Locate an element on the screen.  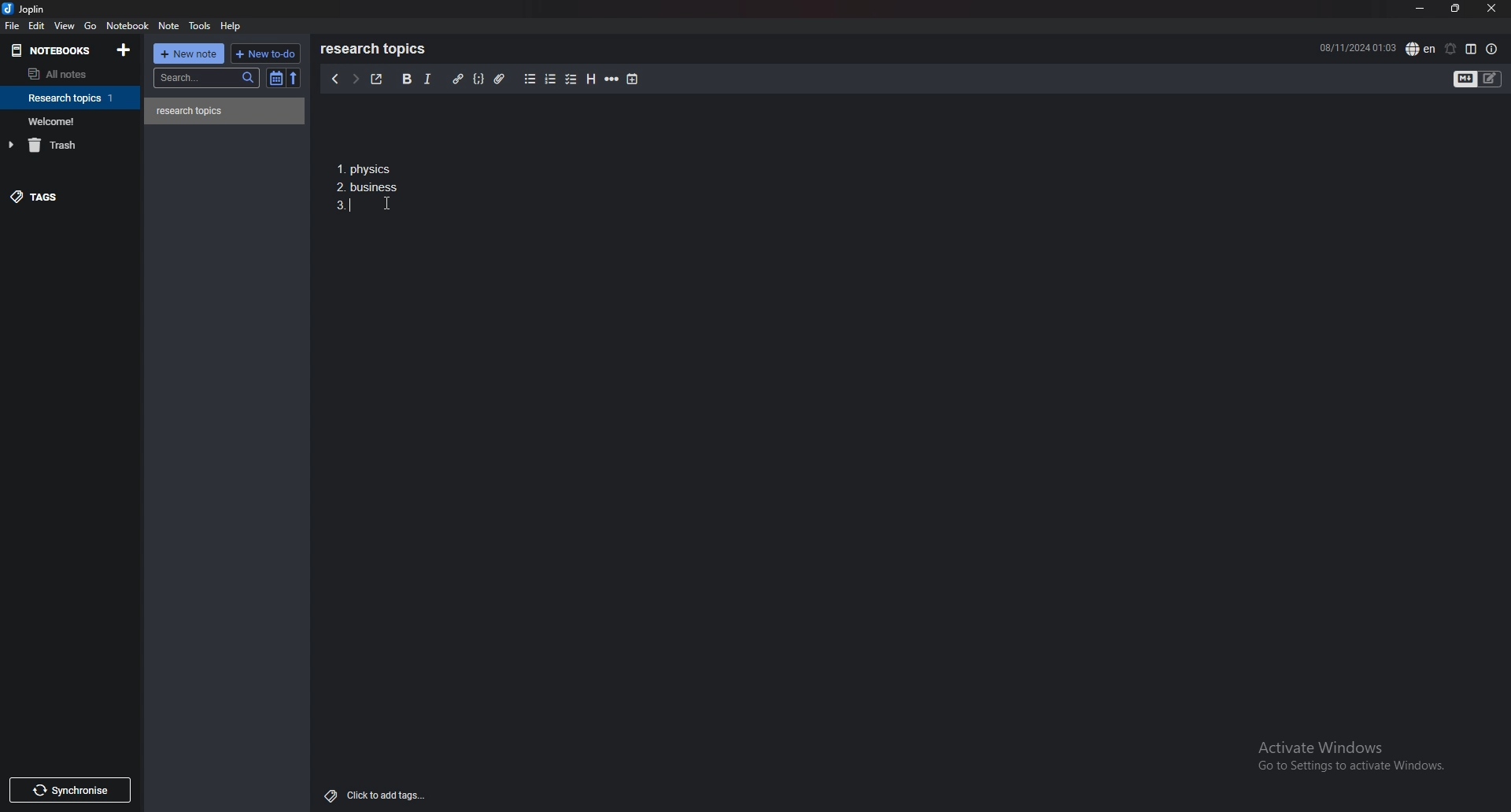
file is located at coordinates (13, 26).